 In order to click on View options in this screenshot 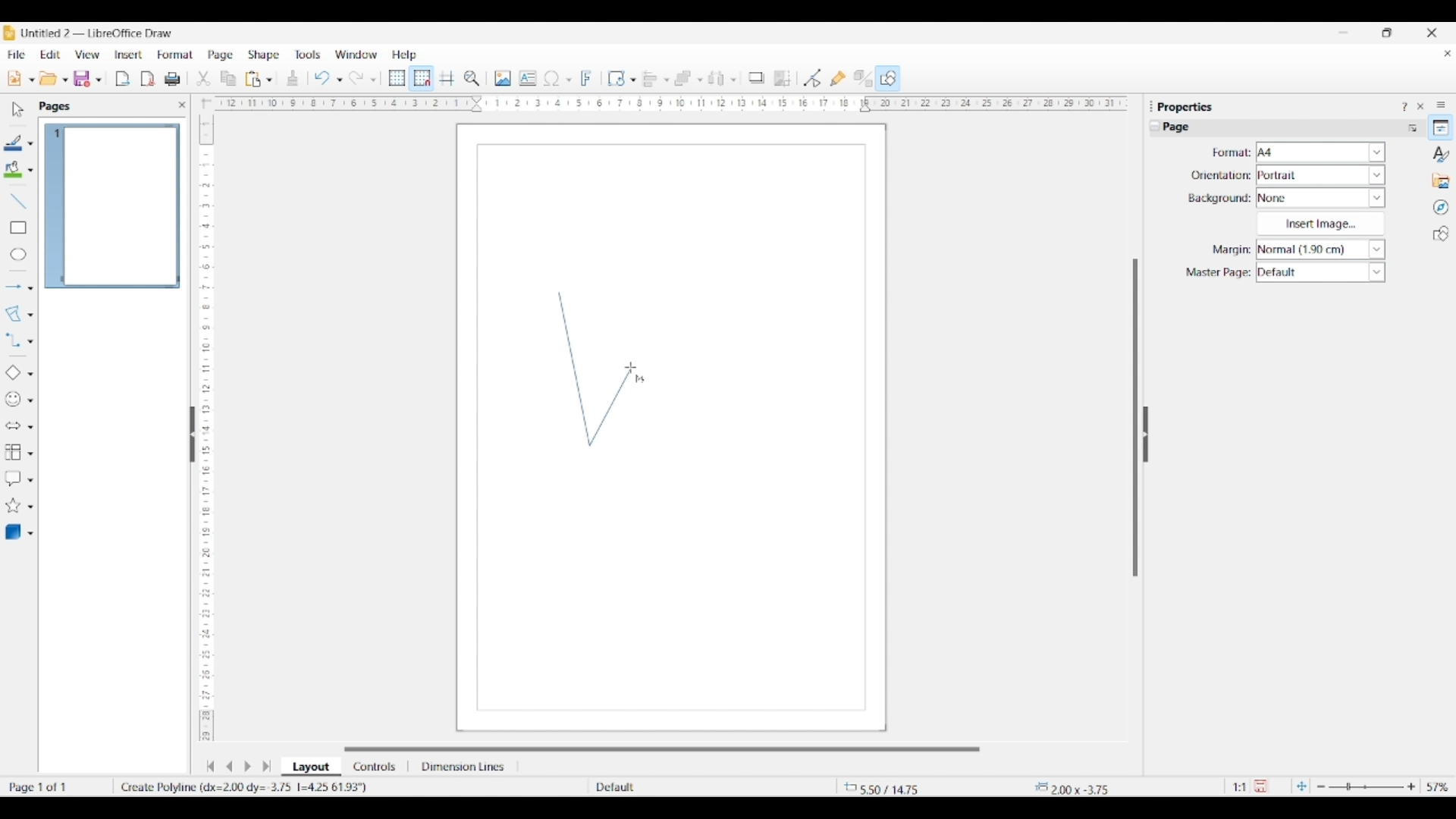, I will do `click(86, 55)`.